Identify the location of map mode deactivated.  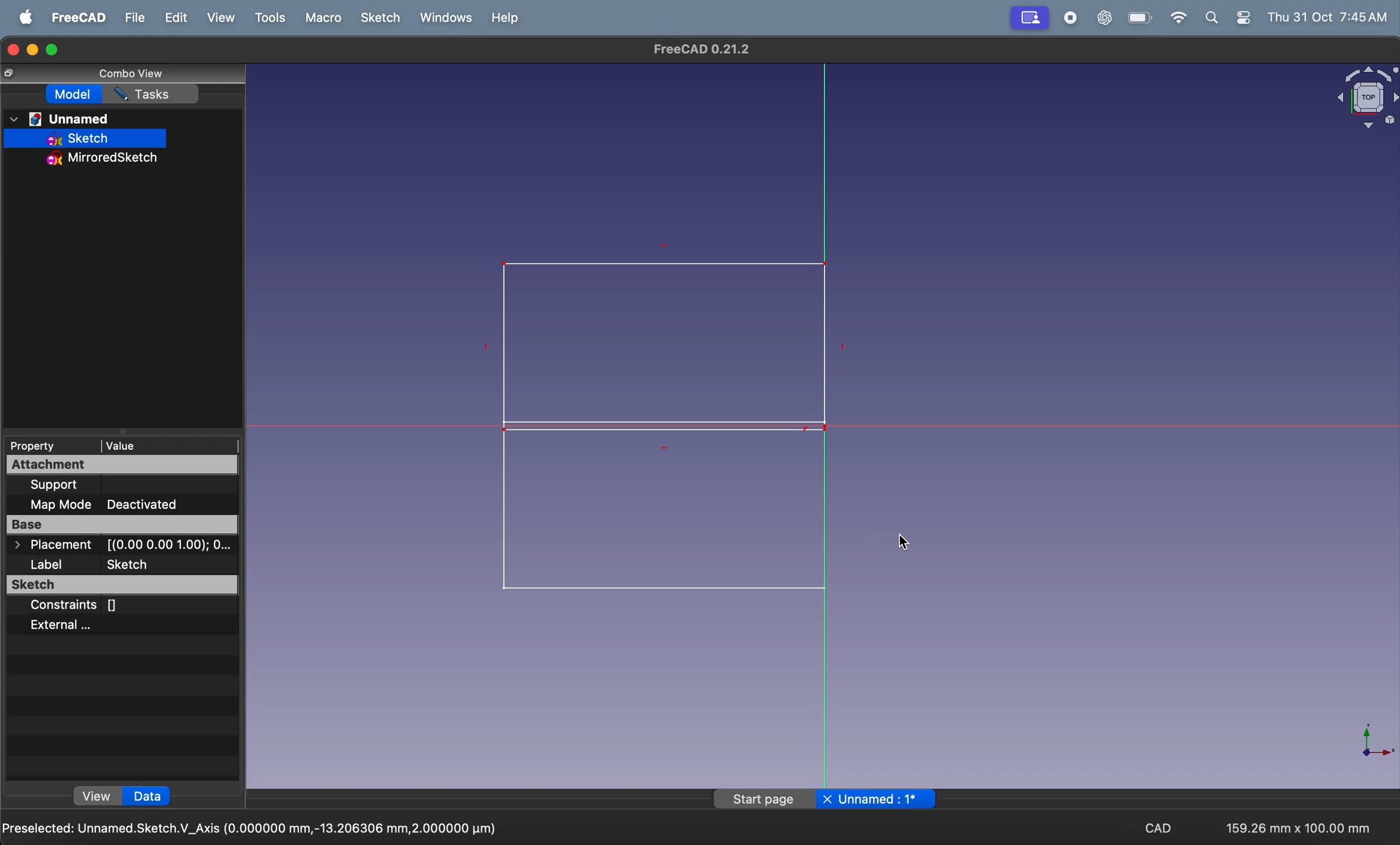
(129, 504).